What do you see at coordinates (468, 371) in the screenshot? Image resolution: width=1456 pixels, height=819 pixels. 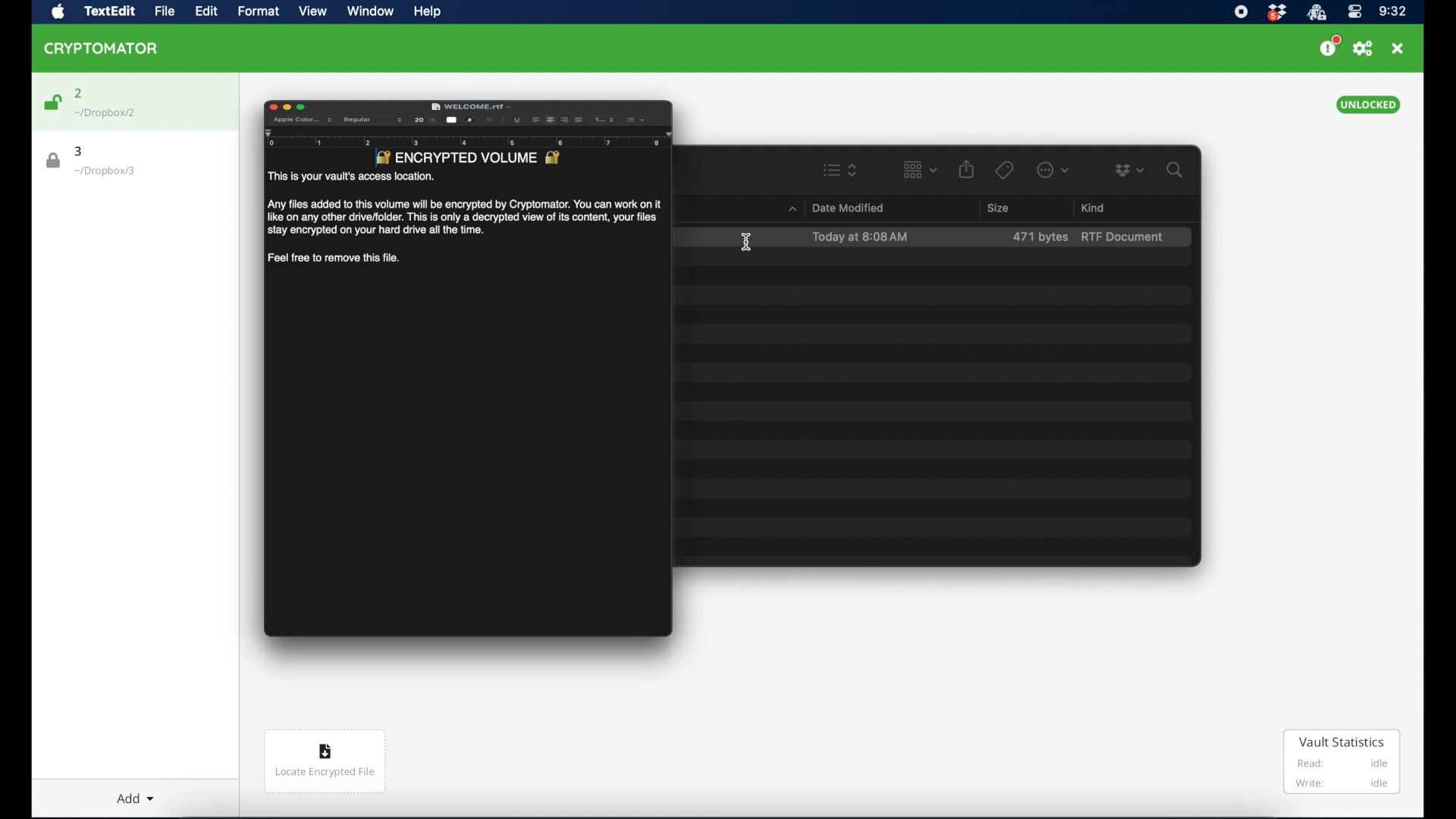 I see `file preview` at bounding box center [468, 371].